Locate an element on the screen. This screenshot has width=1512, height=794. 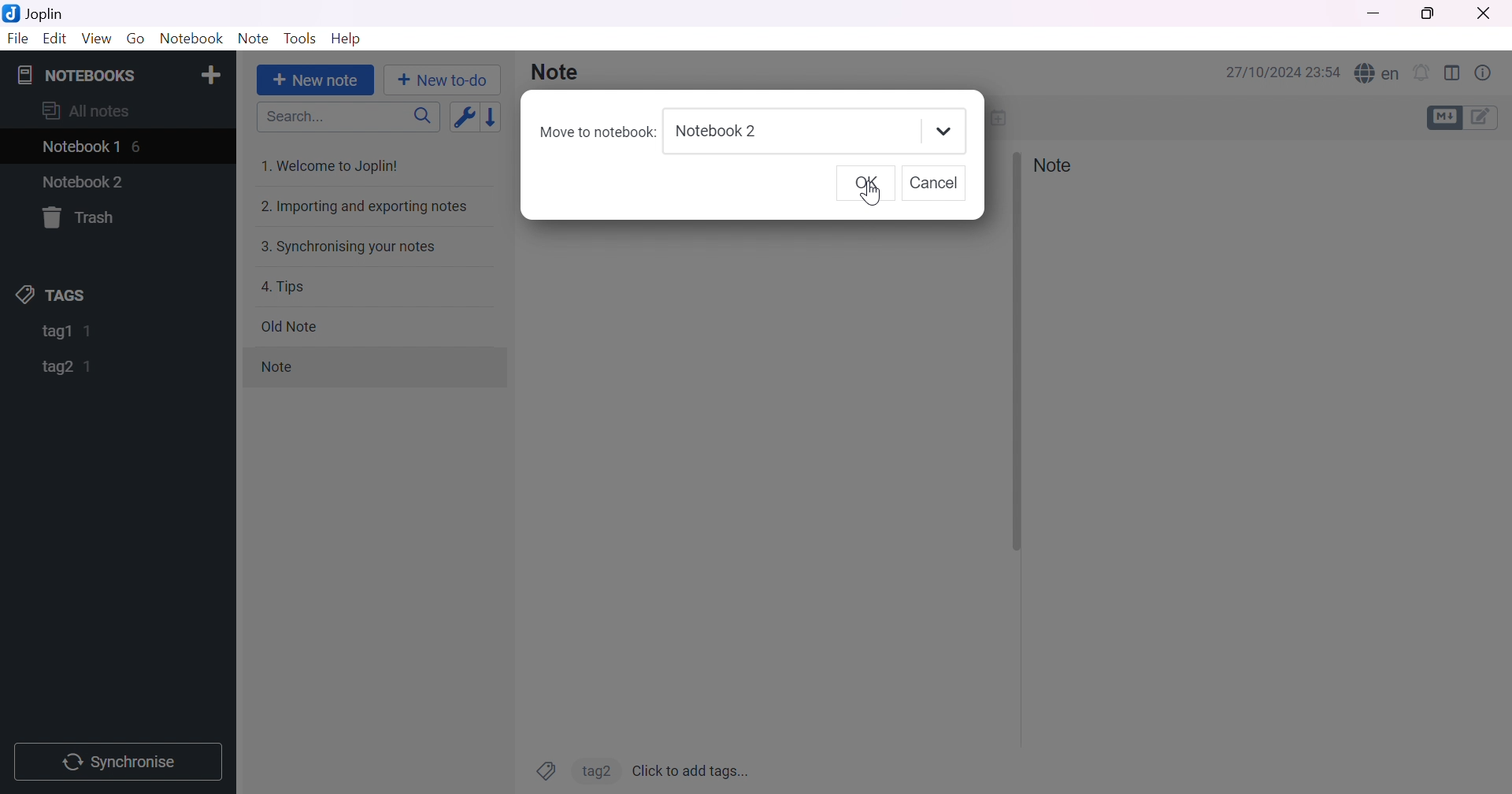
Reverse sort order is located at coordinates (495, 117).